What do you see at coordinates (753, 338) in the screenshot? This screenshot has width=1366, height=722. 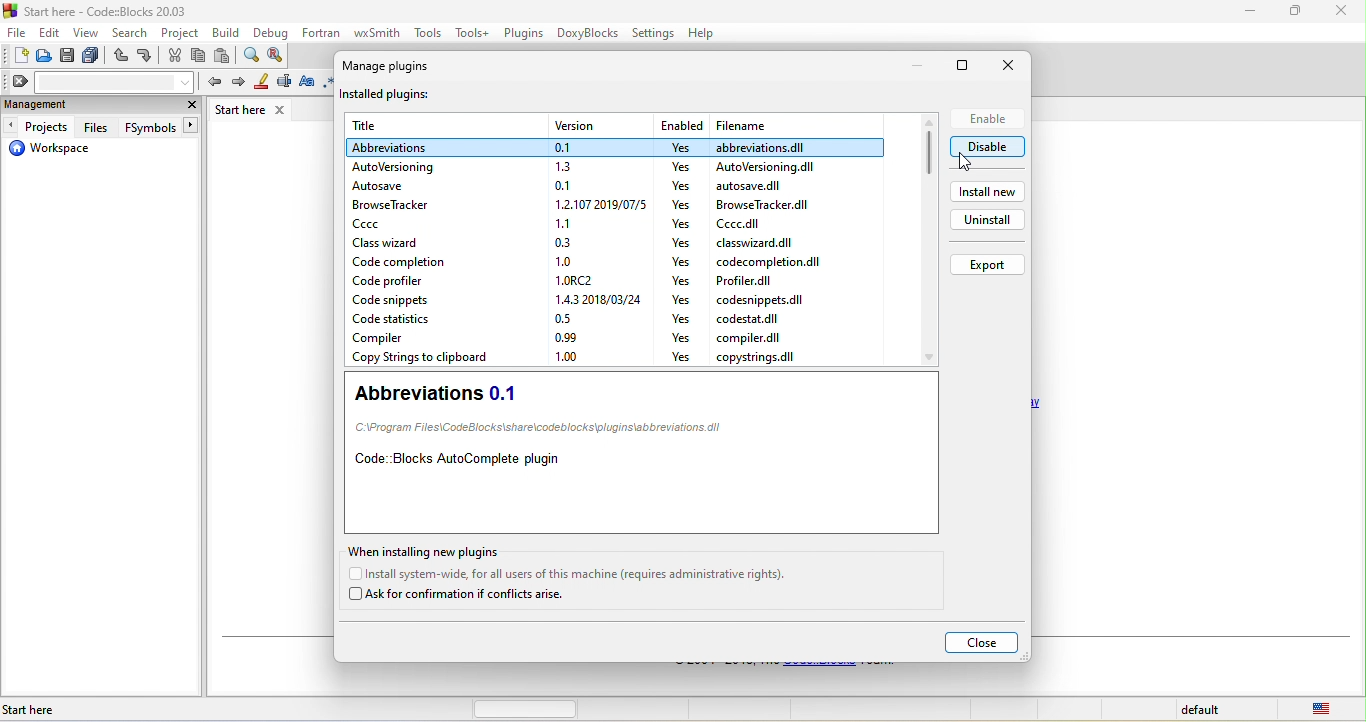 I see `file` at bounding box center [753, 338].